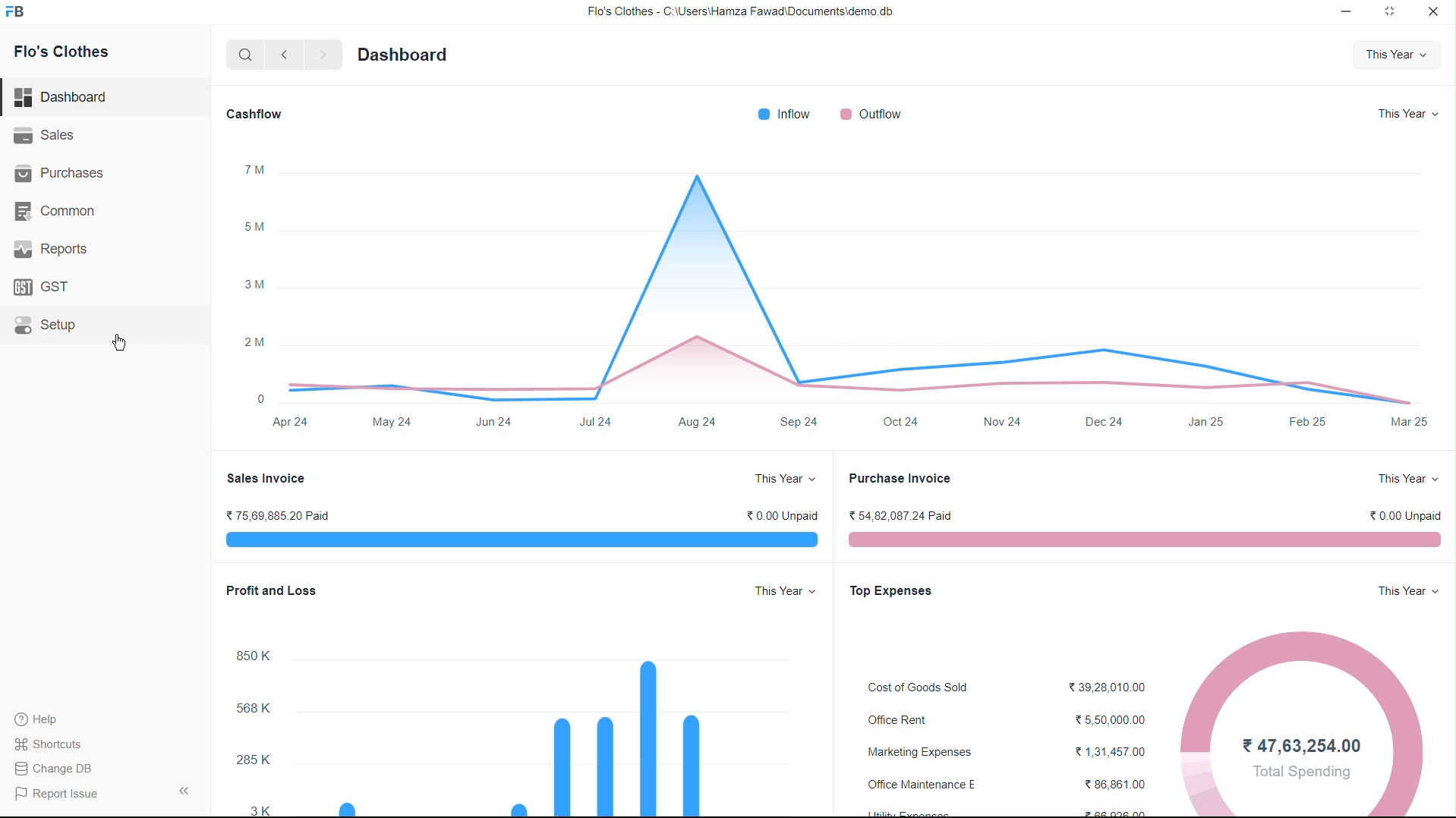  I want to click on This year, so click(782, 480).